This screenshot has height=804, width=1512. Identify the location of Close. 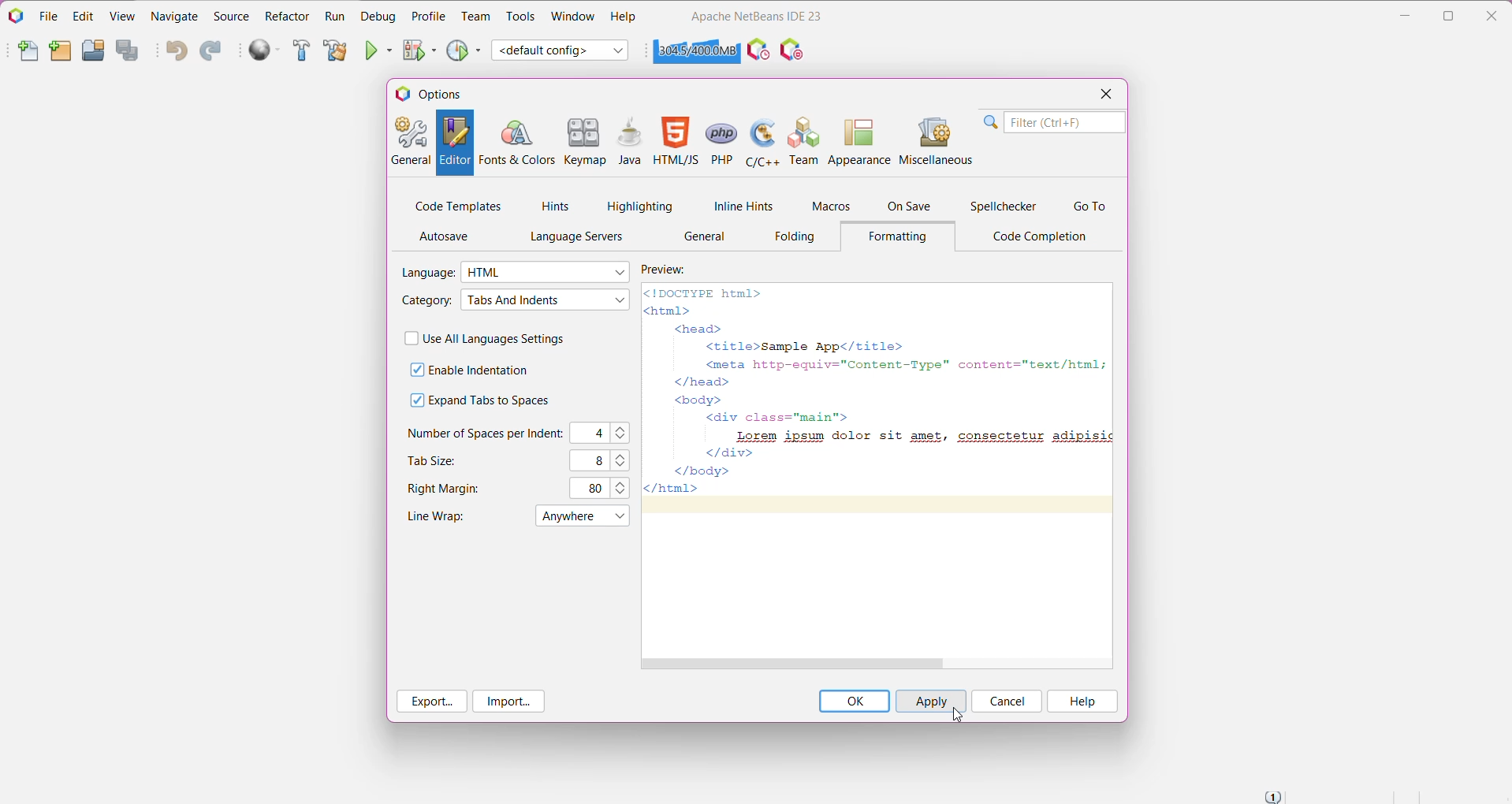
(1495, 13).